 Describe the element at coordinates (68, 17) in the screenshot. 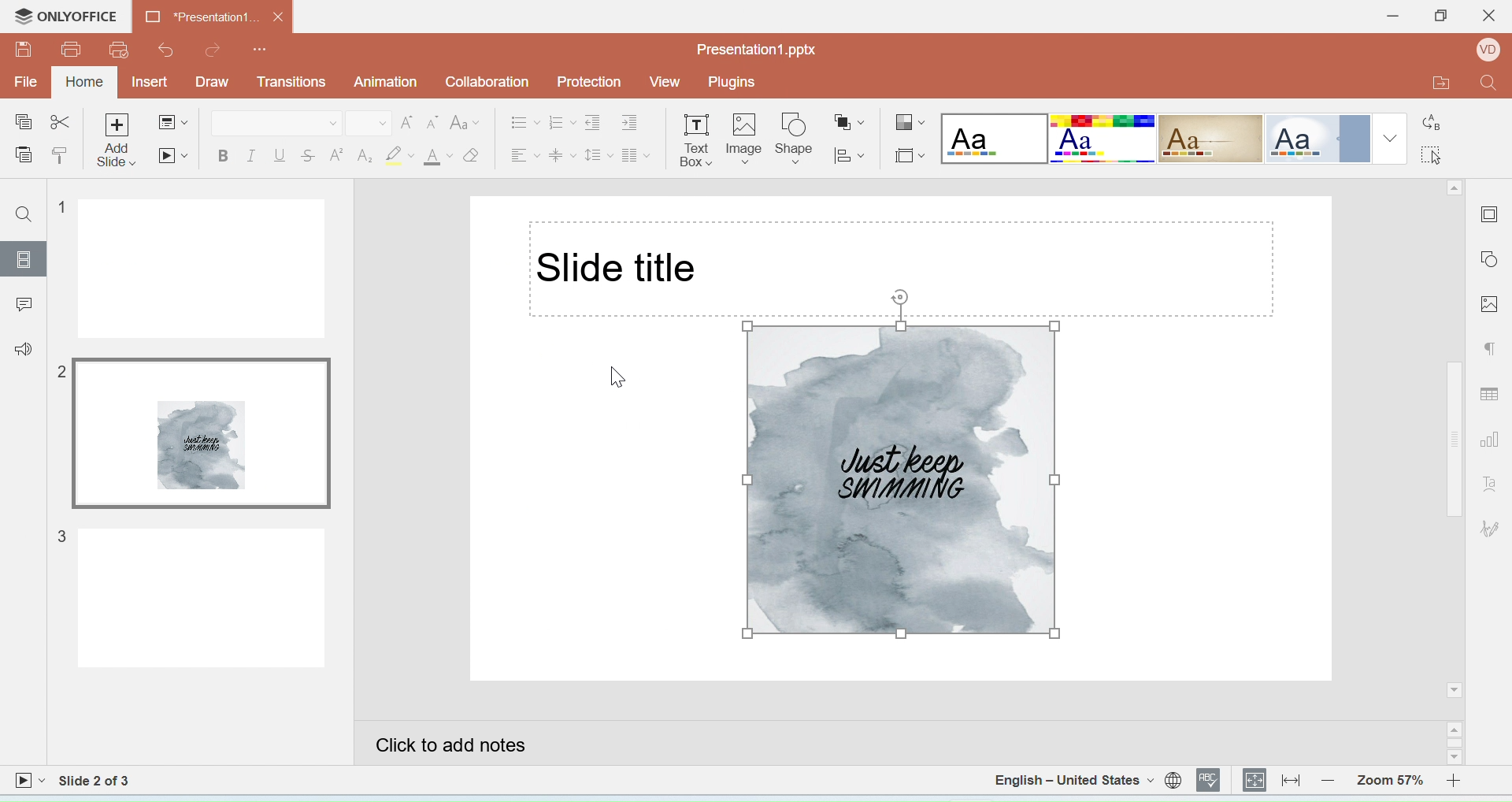

I see `Only office` at that location.